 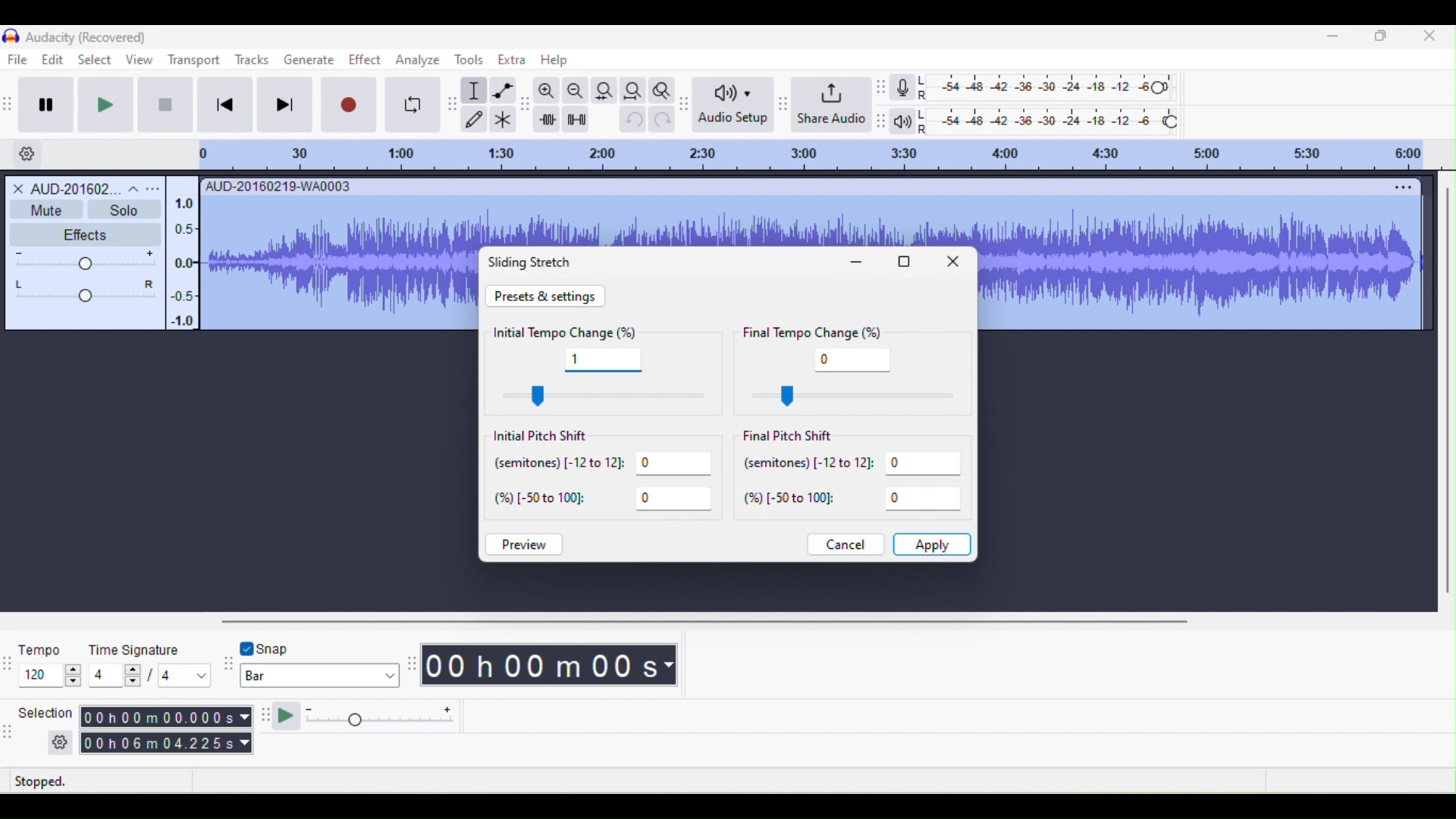 I want to click on apply, so click(x=934, y=544).